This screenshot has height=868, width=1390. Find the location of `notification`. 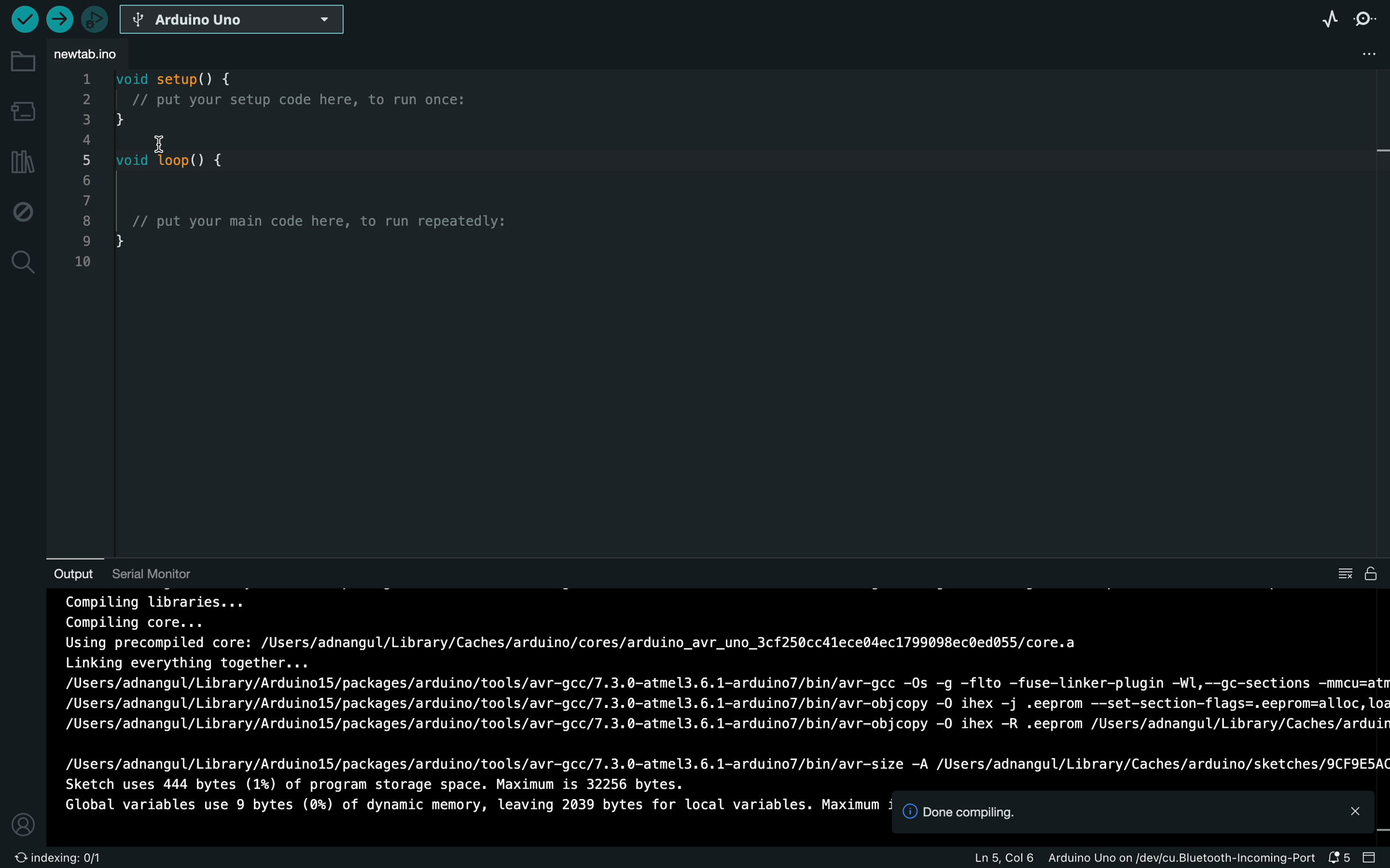

notification is located at coordinates (1132, 815).